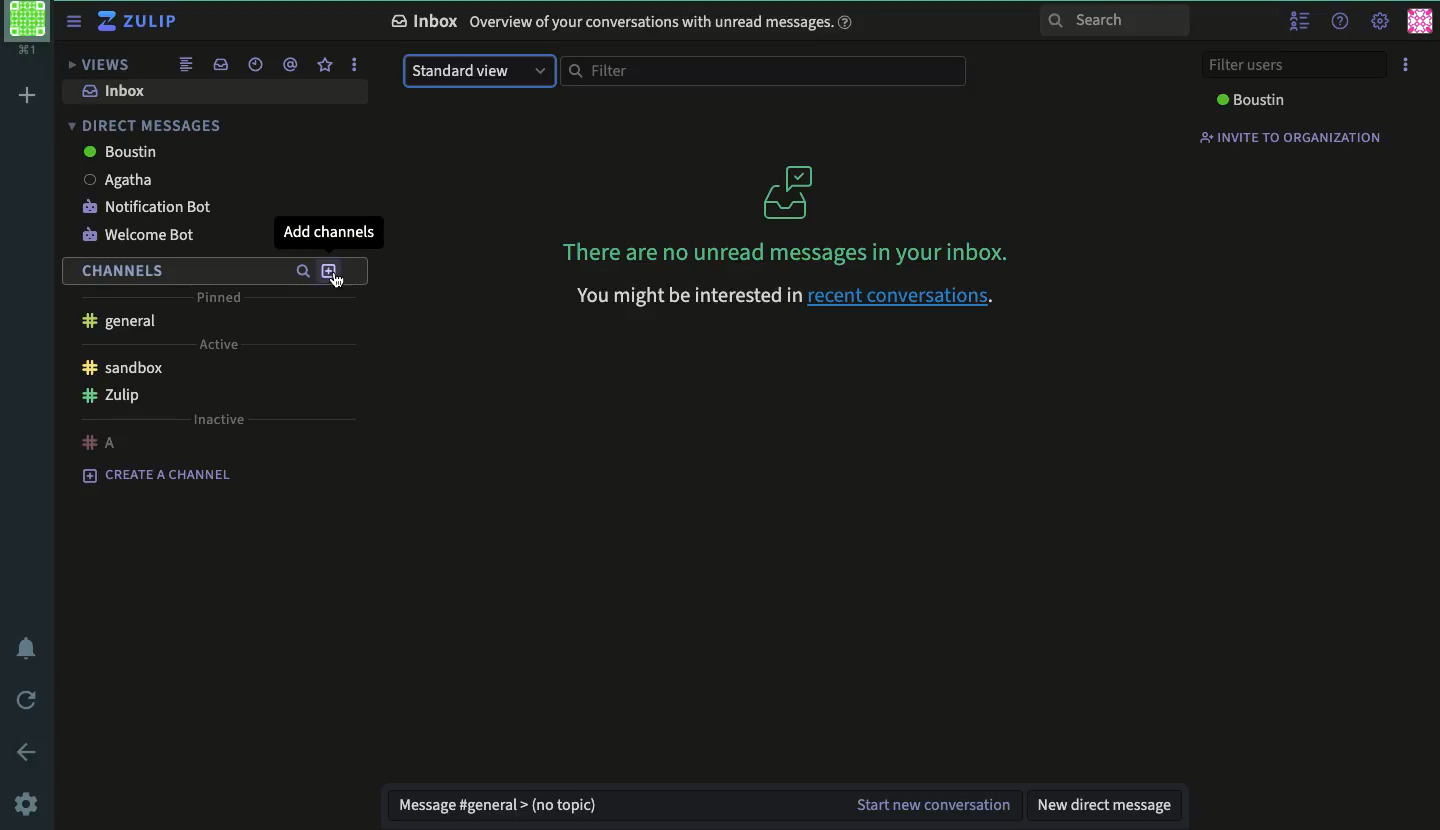 The height and width of the screenshot is (830, 1440). What do you see at coordinates (339, 283) in the screenshot?
I see `cursor` at bounding box center [339, 283].